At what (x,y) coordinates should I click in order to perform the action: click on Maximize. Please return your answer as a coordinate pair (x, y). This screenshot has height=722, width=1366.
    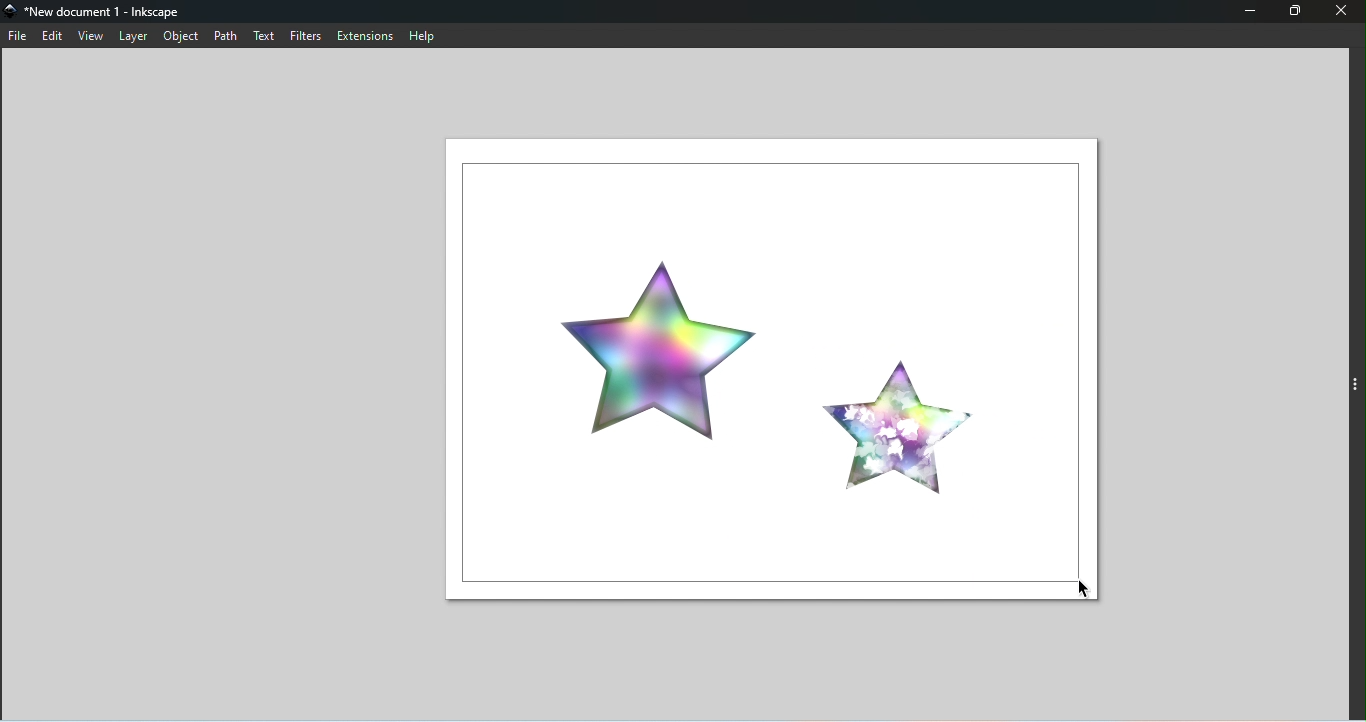
    Looking at the image, I should click on (1297, 12).